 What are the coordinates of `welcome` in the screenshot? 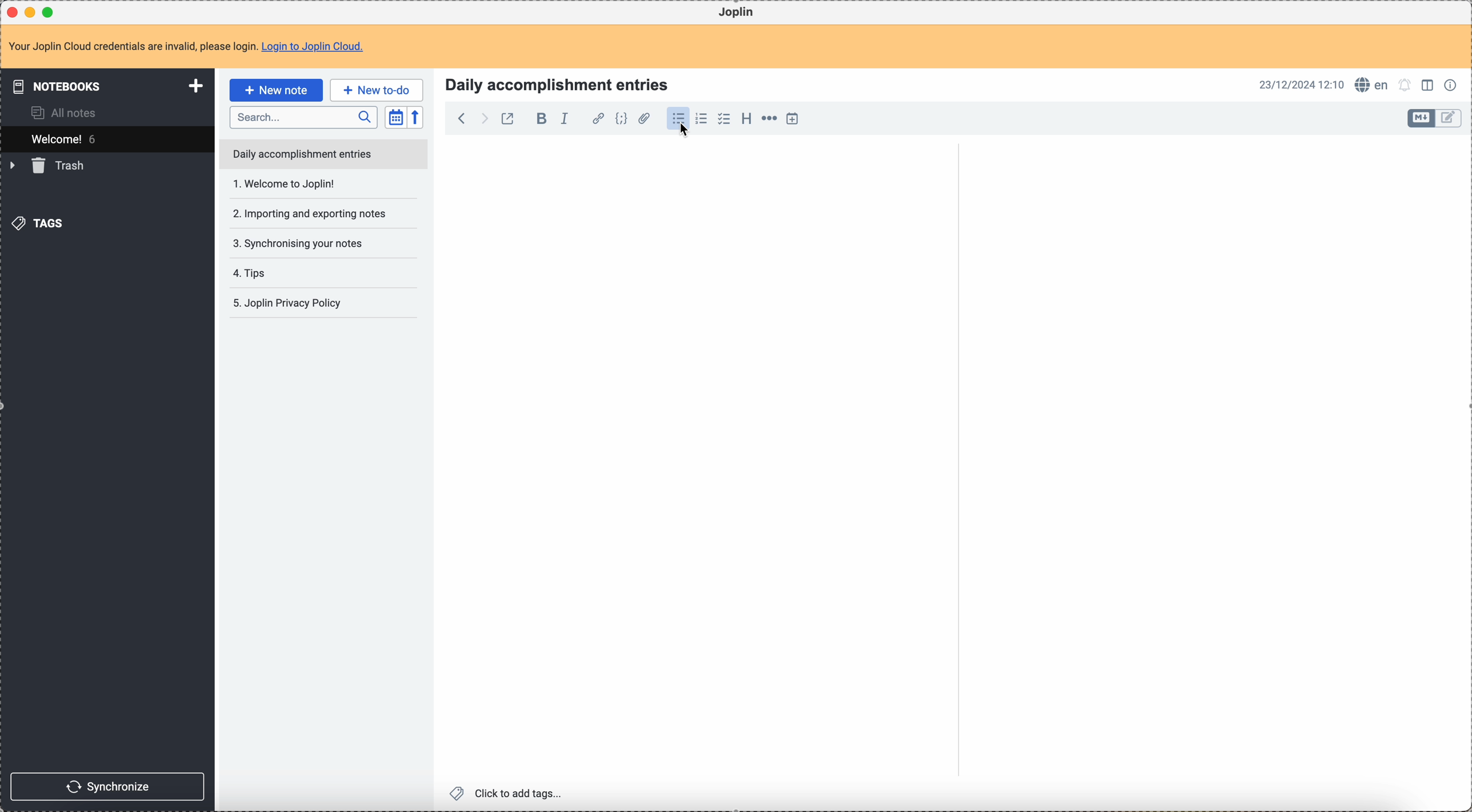 It's located at (106, 139).